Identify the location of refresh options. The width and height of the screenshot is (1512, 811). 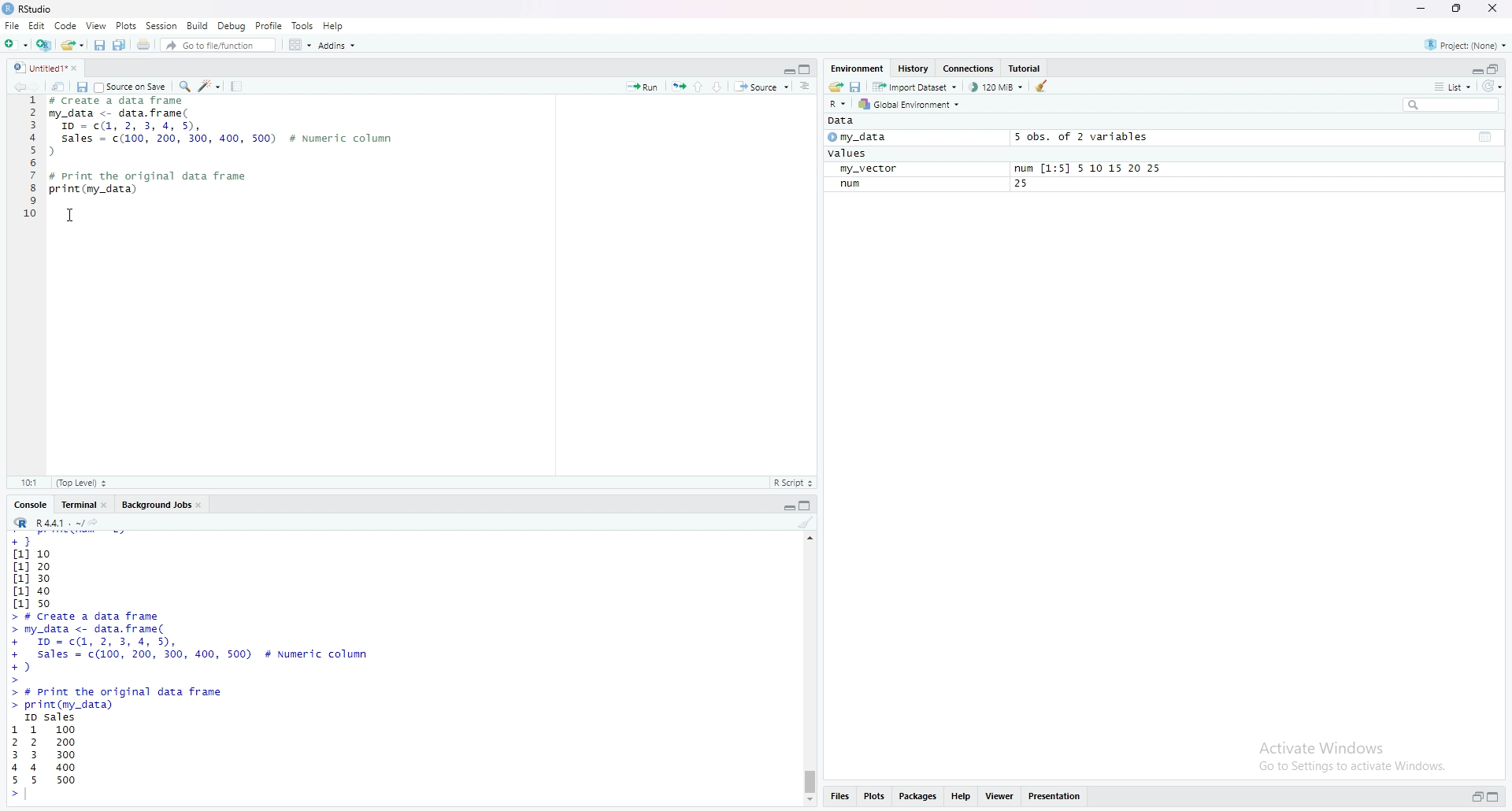
(1495, 89).